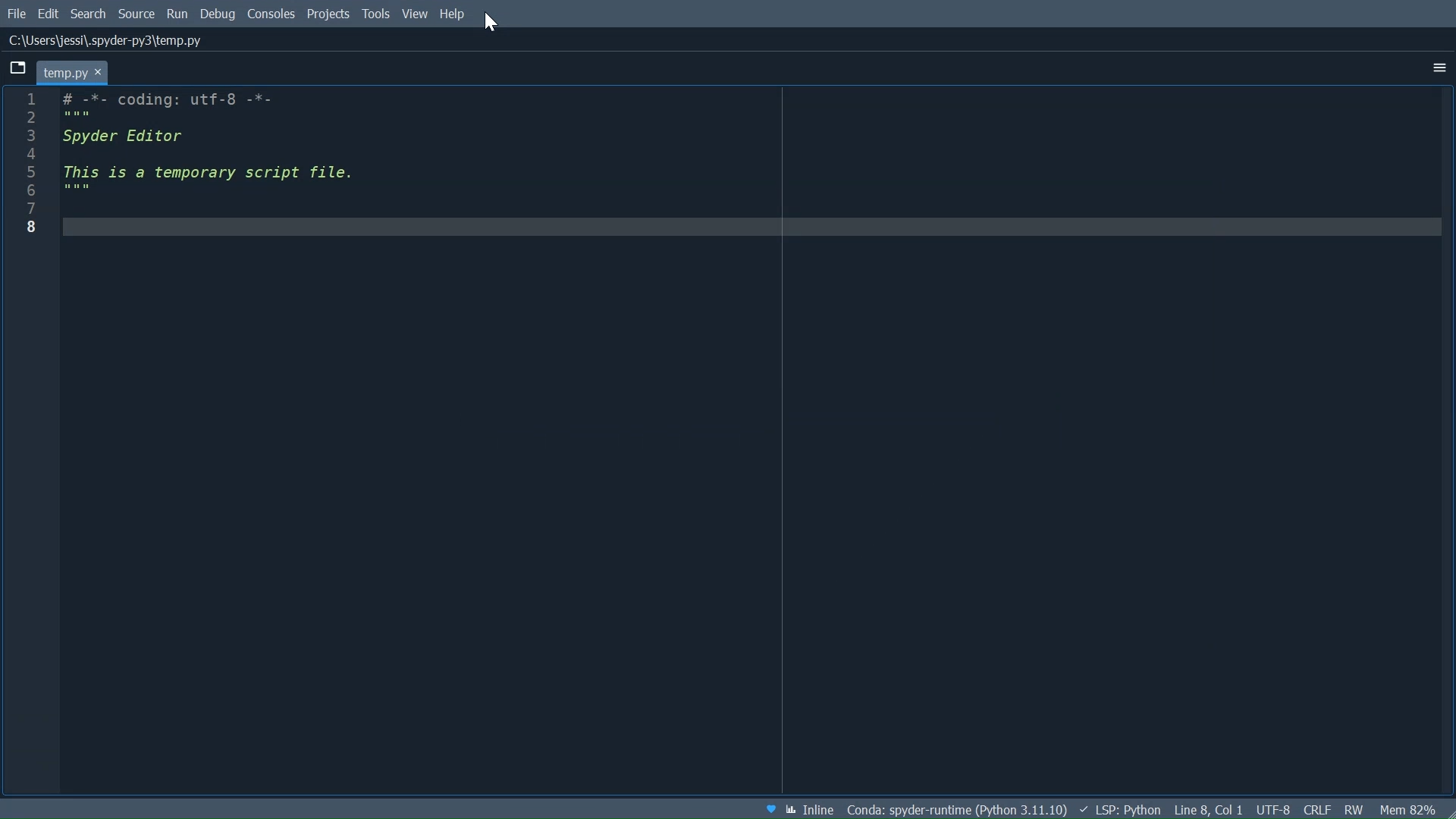 This screenshot has width=1456, height=819. What do you see at coordinates (89, 14) in the screenshot?
I see `Search` at bounding box center [89, 14].